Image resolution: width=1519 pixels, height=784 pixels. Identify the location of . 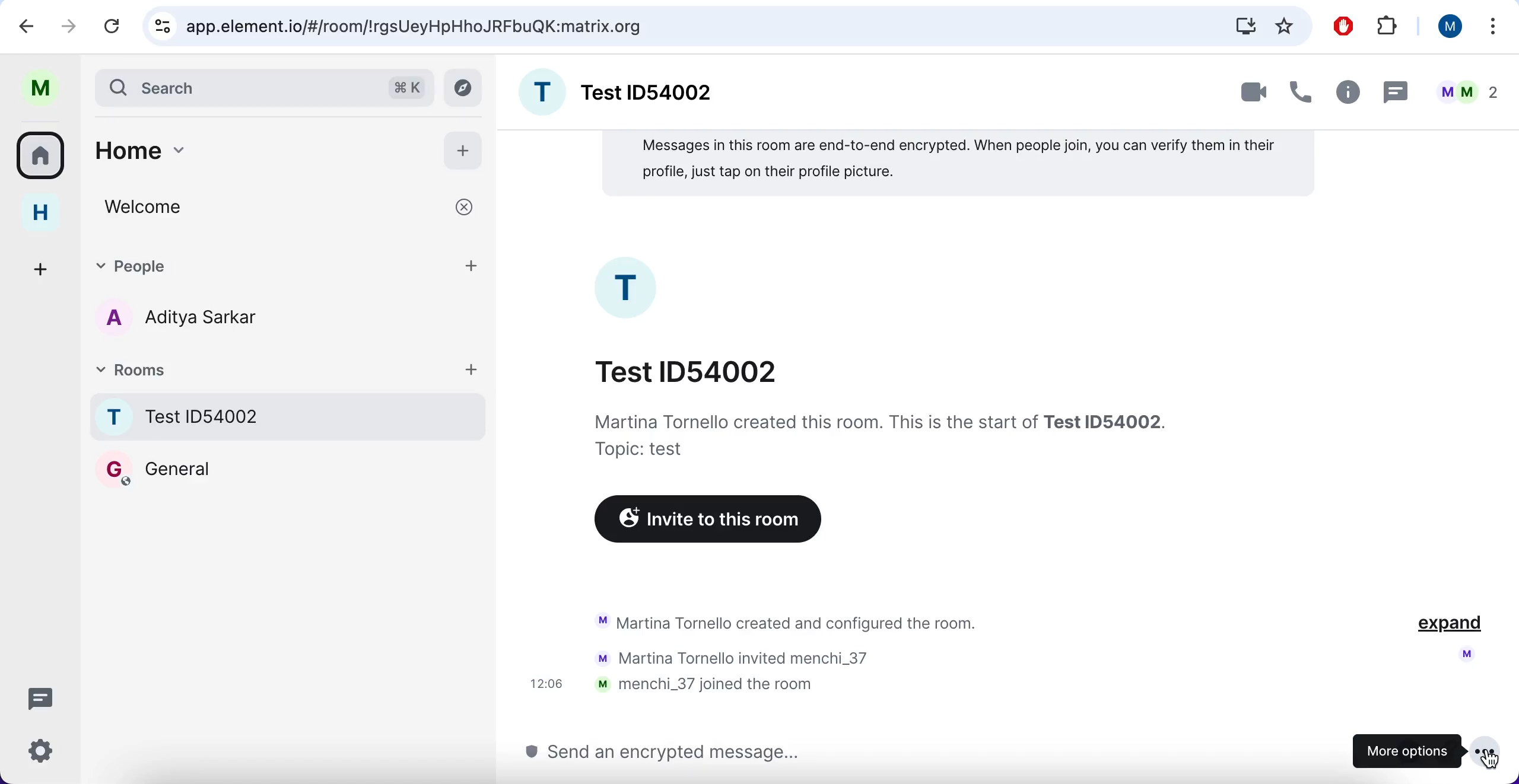
(1346, 91).